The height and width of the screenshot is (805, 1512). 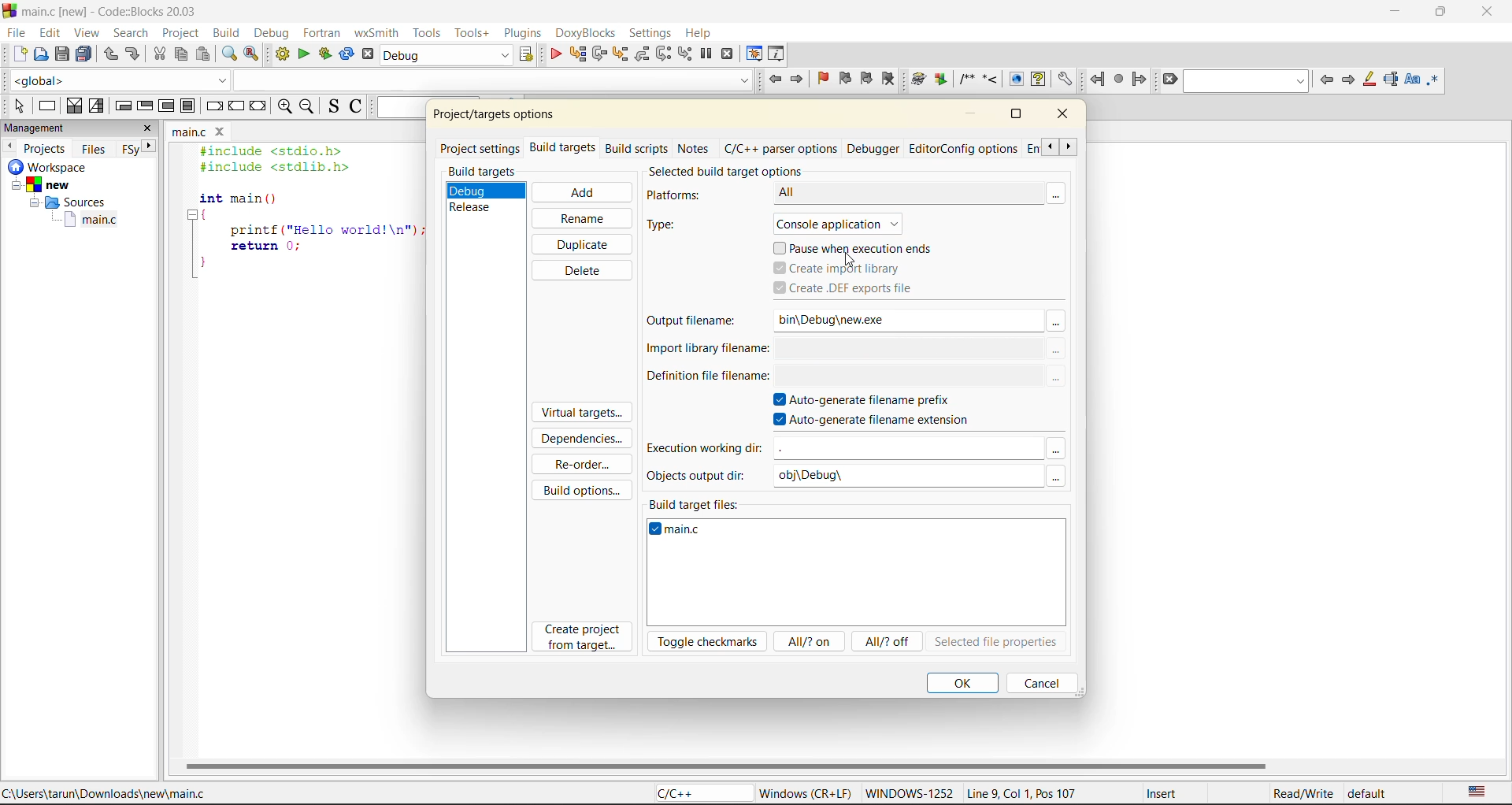 What do you see at coordinates (584, 243) in the screenshot?
I see `duplicate` at bounding box center [584, 243].